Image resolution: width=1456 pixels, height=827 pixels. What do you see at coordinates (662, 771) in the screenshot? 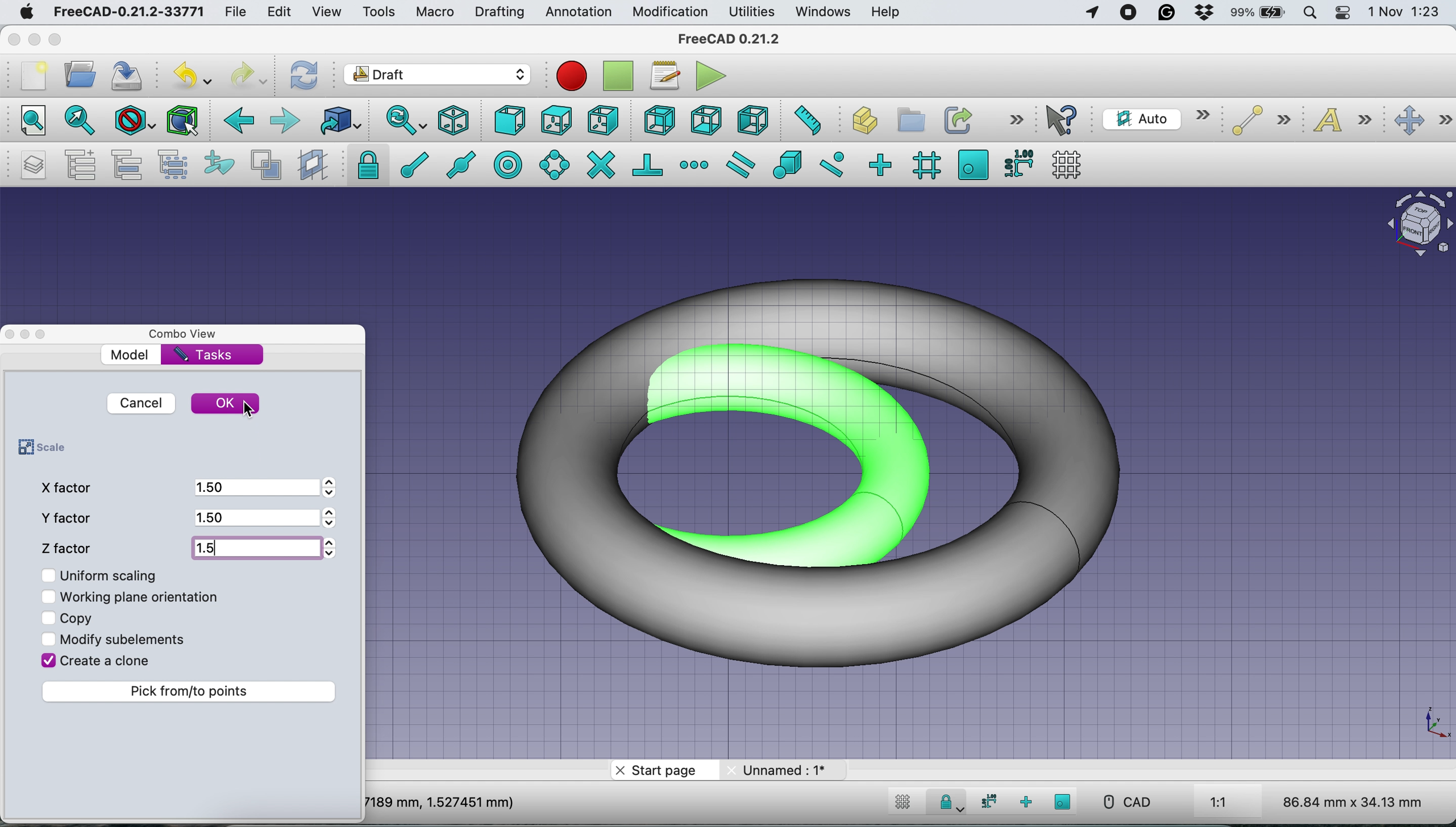
I see `start page` at bounding box center [662, 771].